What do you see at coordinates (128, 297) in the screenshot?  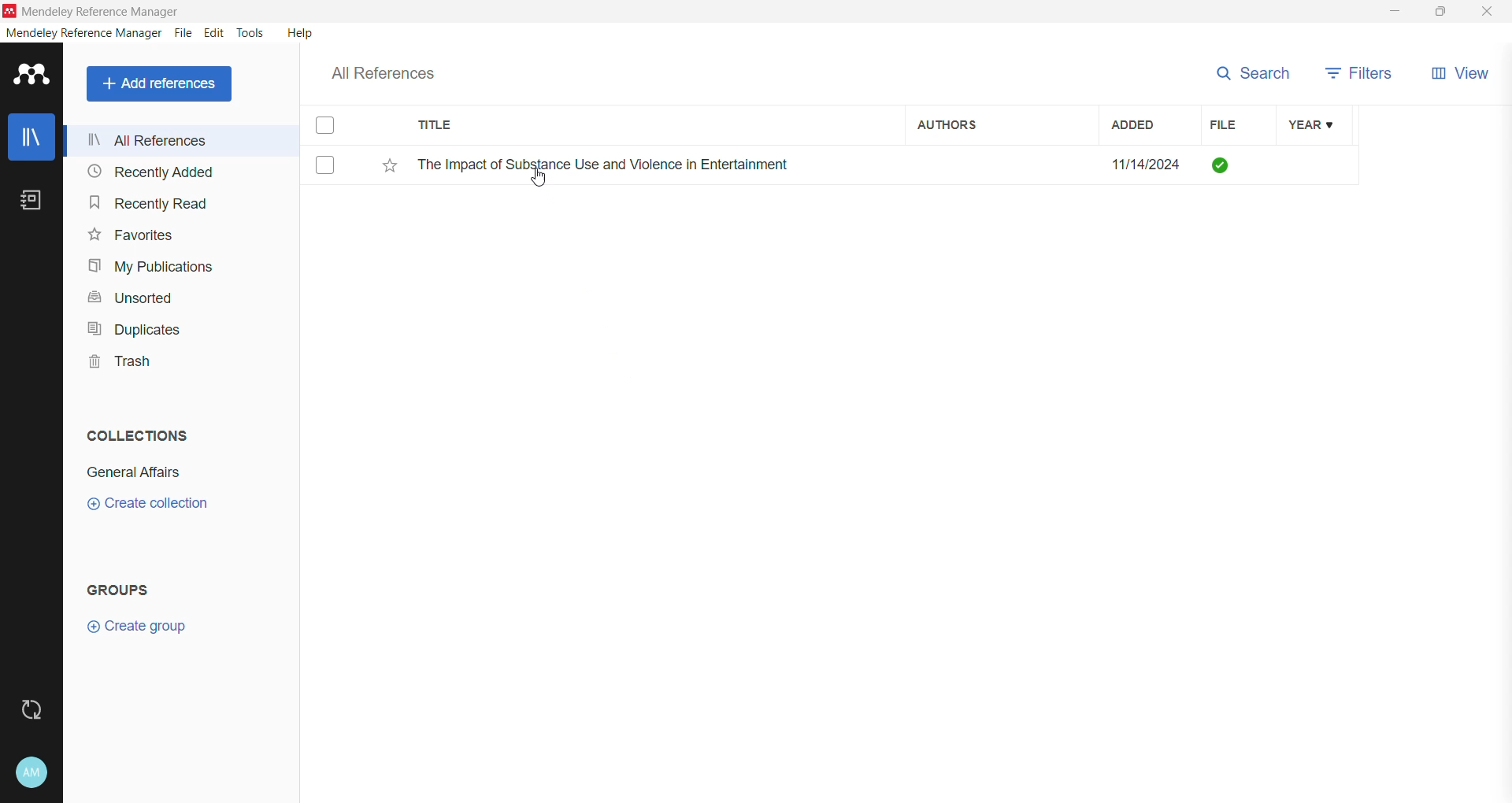 I see `Unsorted` at bounding box center [128, 297].